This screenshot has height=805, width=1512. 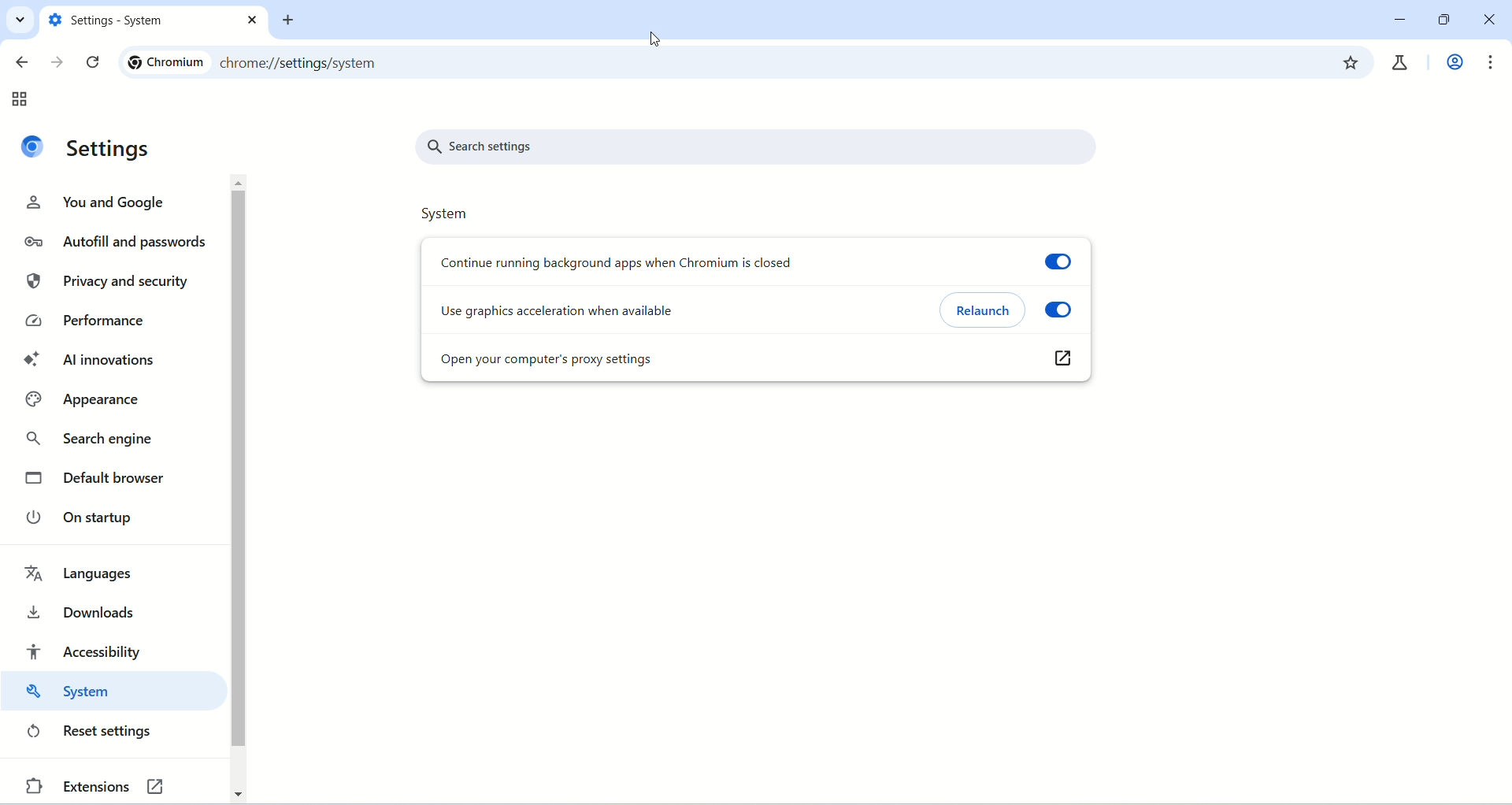 What do you see at coordinates (106, 480) in the screenshot?
I see `default browser` at bounding box center [106, 480].